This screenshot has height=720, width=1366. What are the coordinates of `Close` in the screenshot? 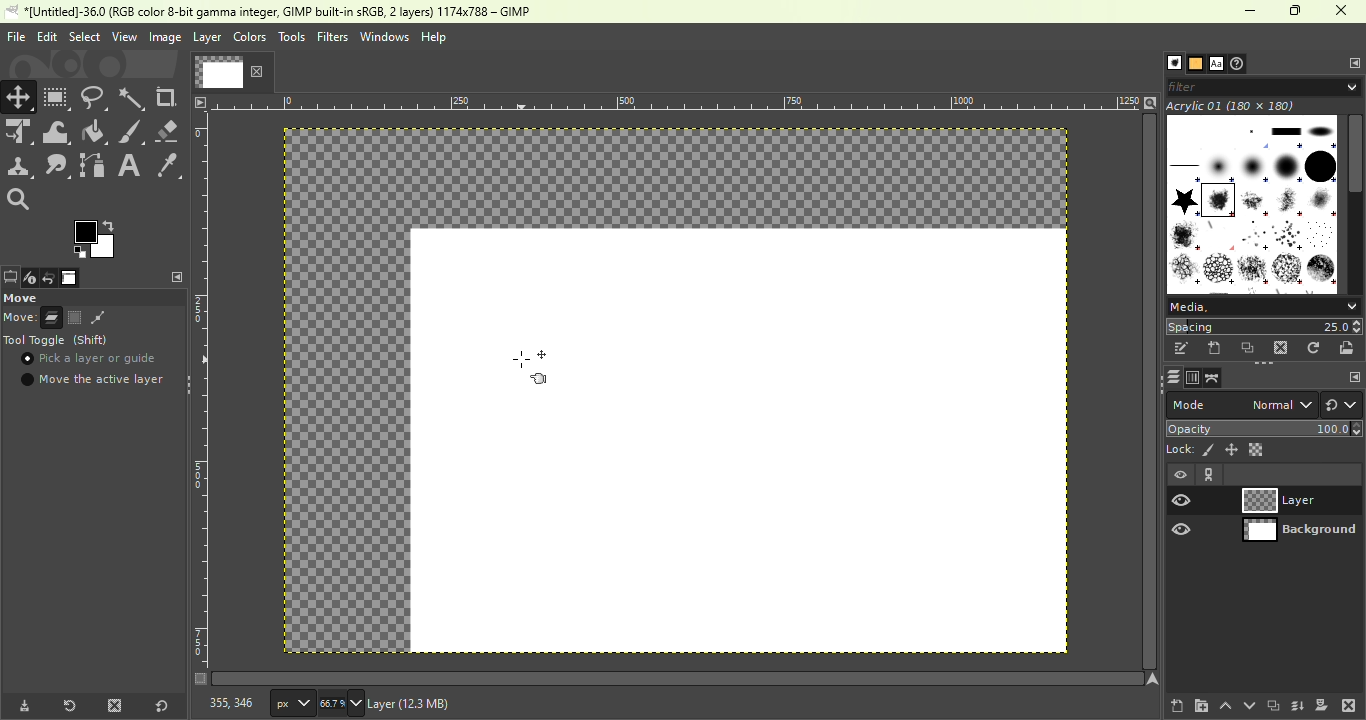 It's located at (1344, 12).